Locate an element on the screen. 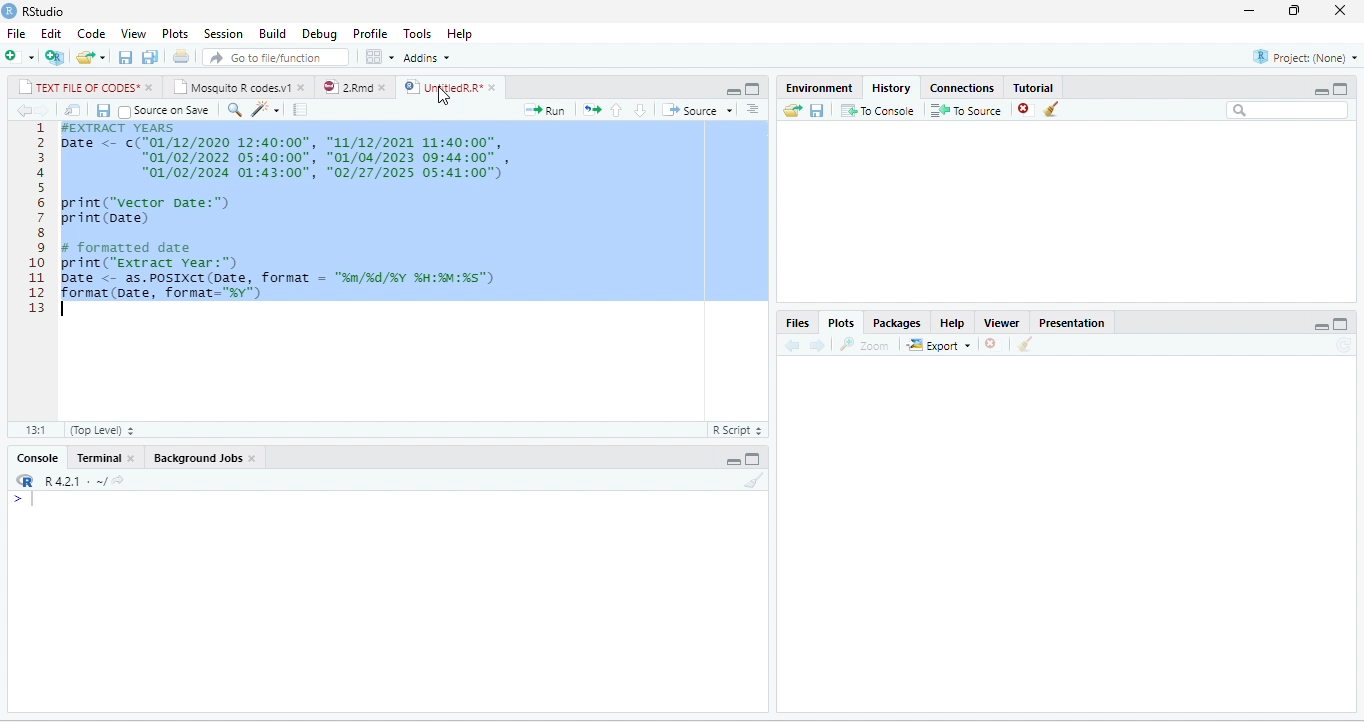 This screenshot has height=722, width=1364. code tools is located at coordinates (265, 109).